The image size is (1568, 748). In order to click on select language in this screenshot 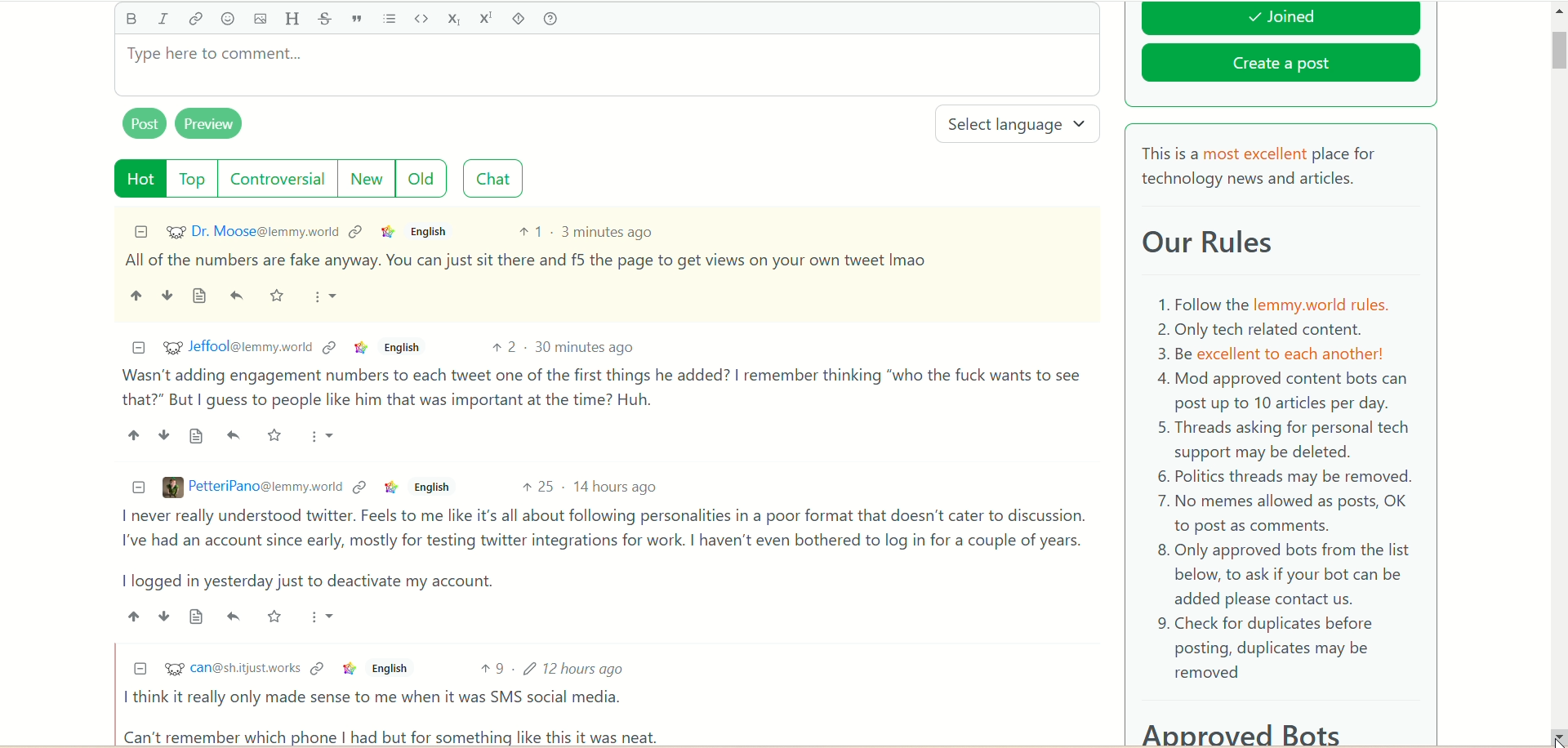, I will do `click(1020, 125)`.